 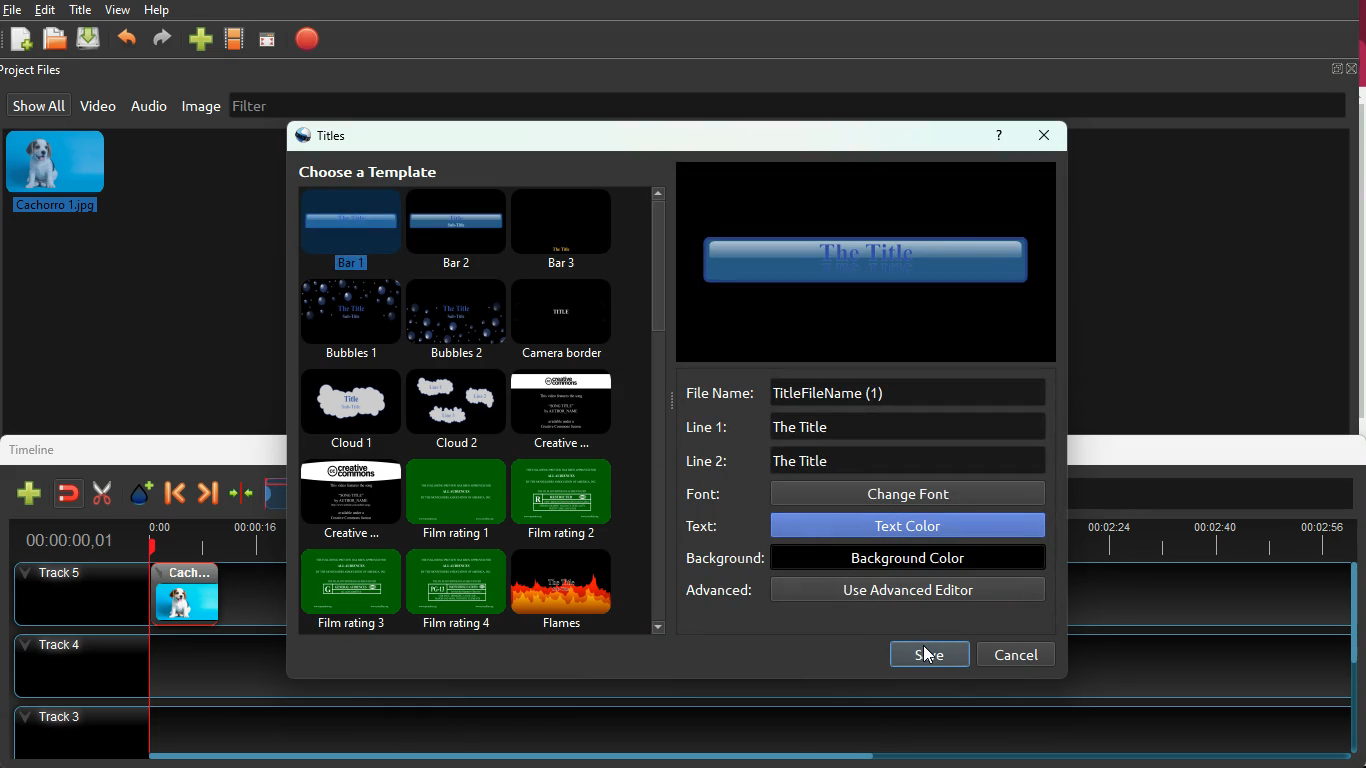 What do you see at coordinates (863, 494) in the screenshot?
I see `font` at bounding box center [863, 494].